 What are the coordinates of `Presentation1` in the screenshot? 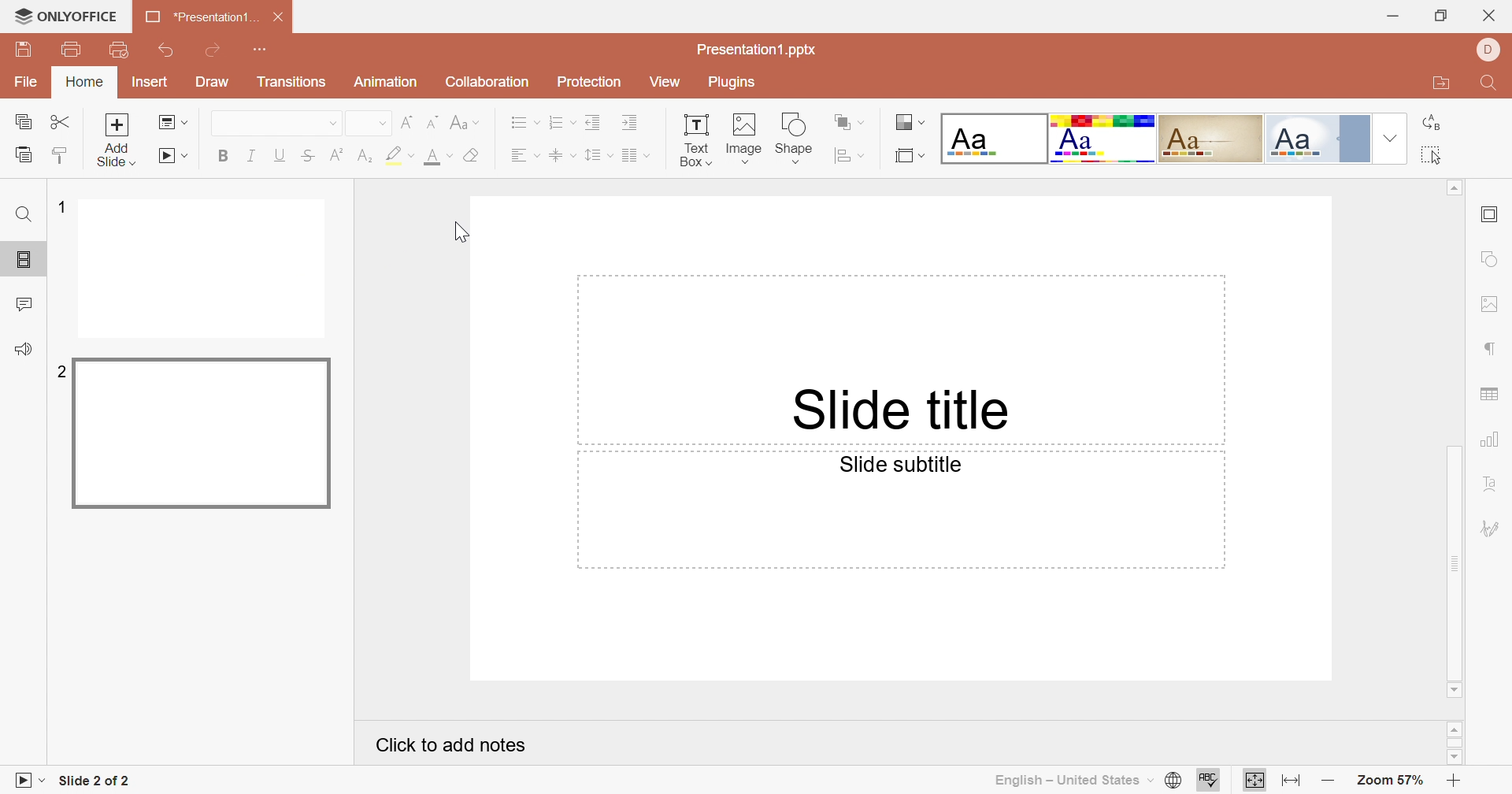 It's located at (195, 15).